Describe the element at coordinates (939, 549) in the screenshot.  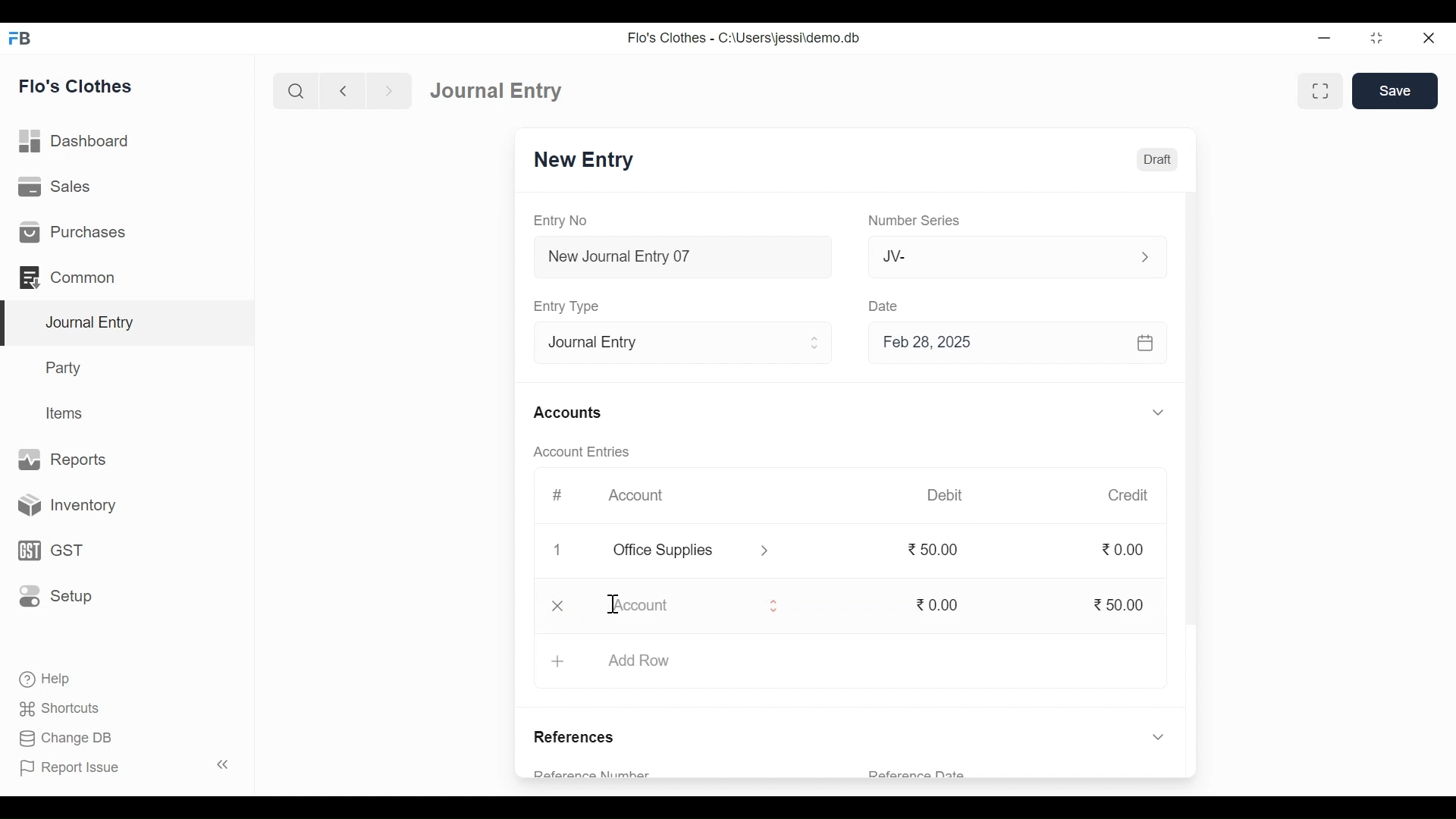
I see `50.00` at that location.